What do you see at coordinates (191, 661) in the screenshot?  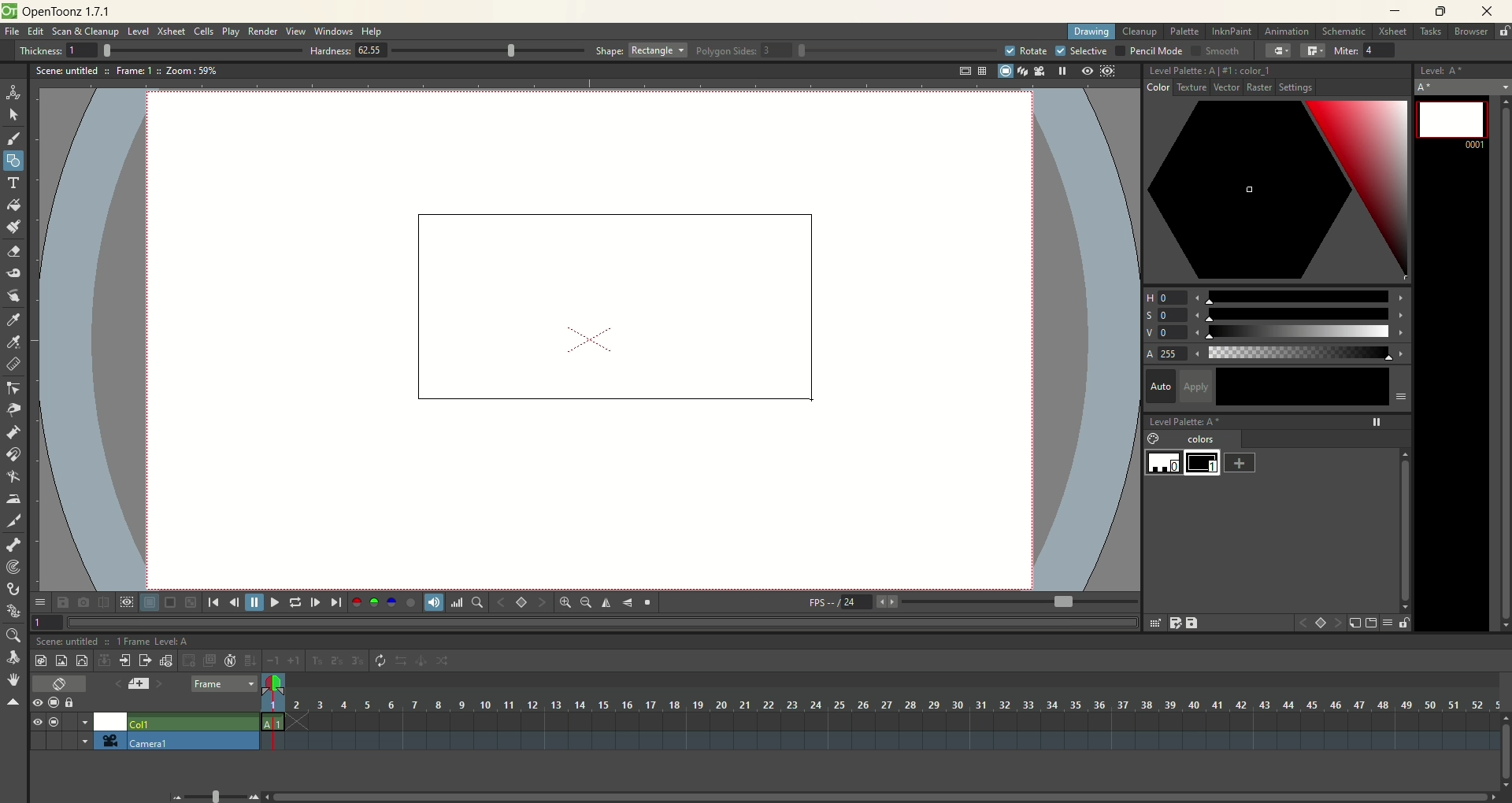 I see `create blank drawing` at bounding box center [191, 661].